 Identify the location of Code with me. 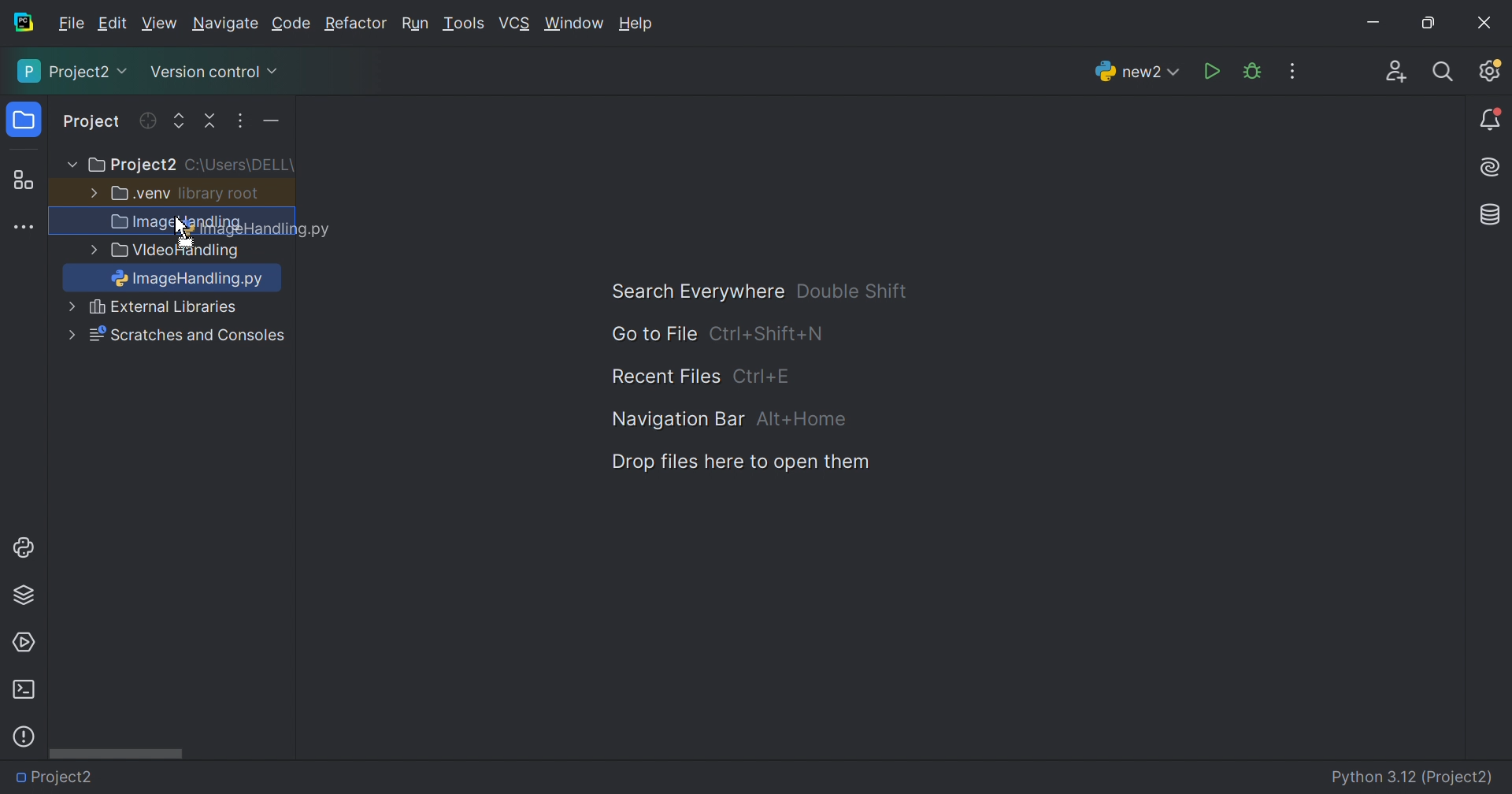
(1396, 74).